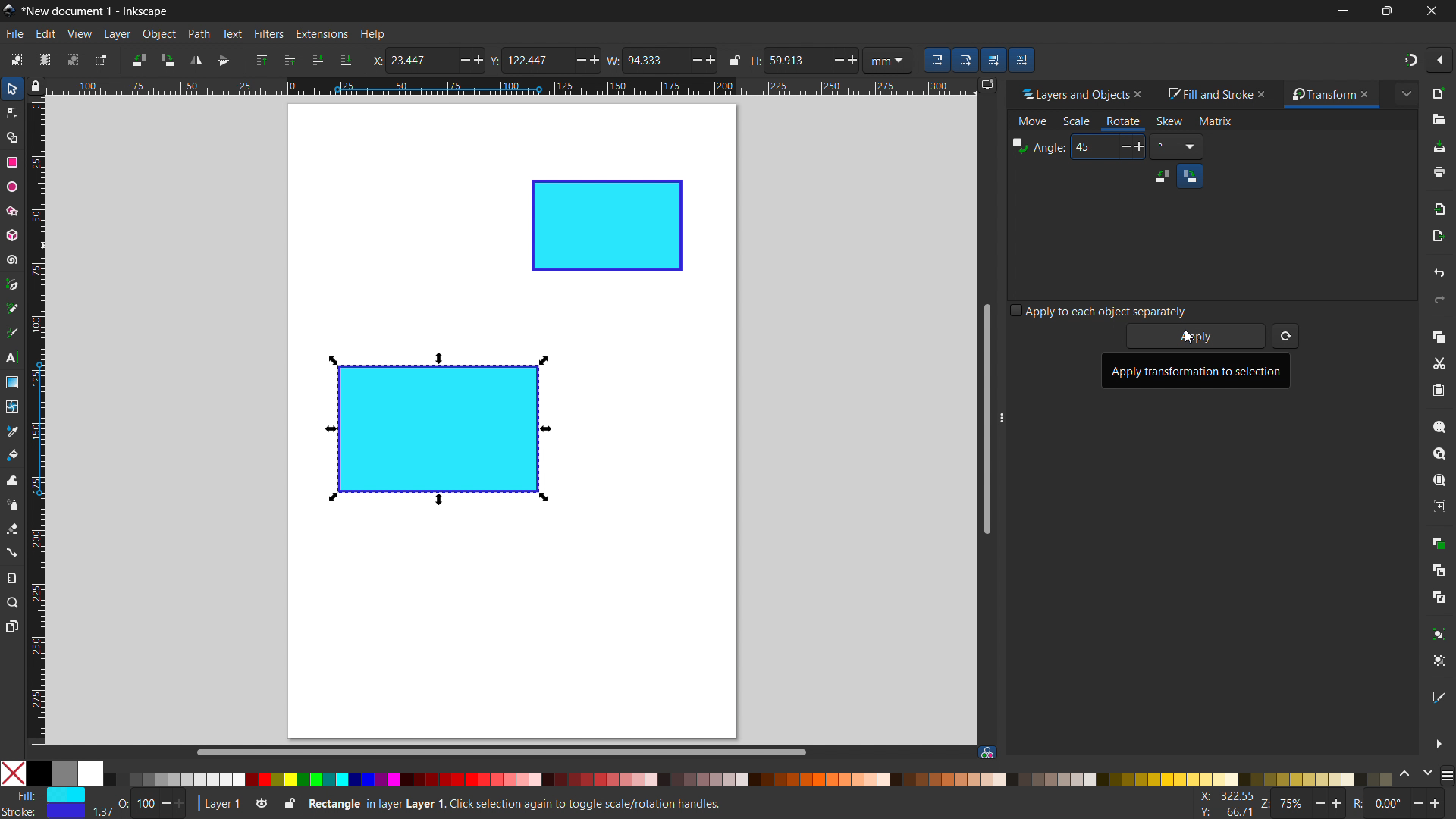 This screenshot has height=819, width=1456. What do you see at coordinates (1033, 122) in the screenshot?
I see `move` at bounding box center [1033, 122].